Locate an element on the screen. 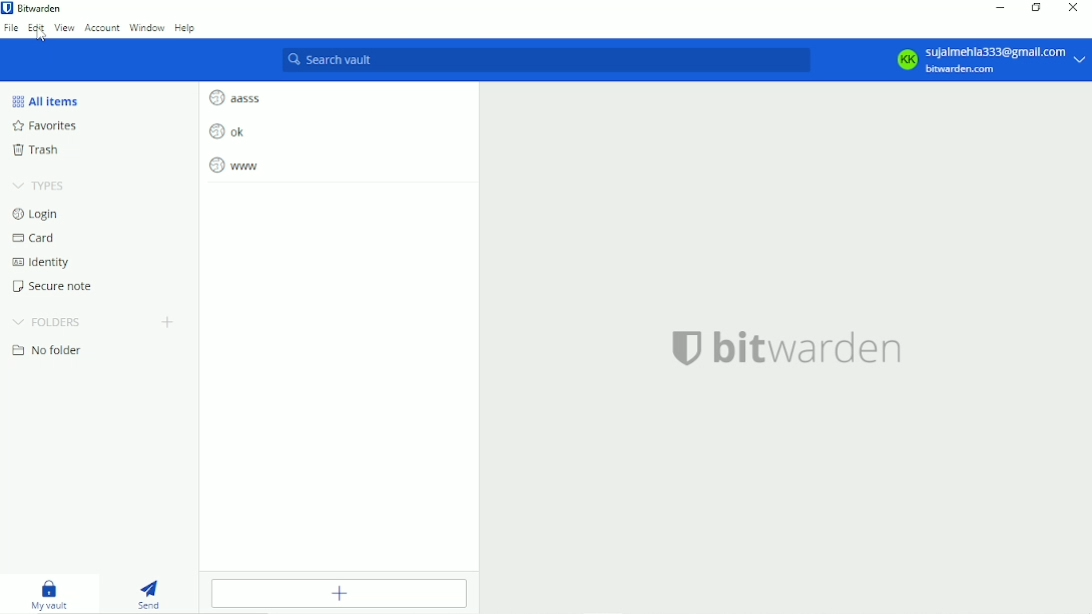  cursor is located at coordinates (41, 36).